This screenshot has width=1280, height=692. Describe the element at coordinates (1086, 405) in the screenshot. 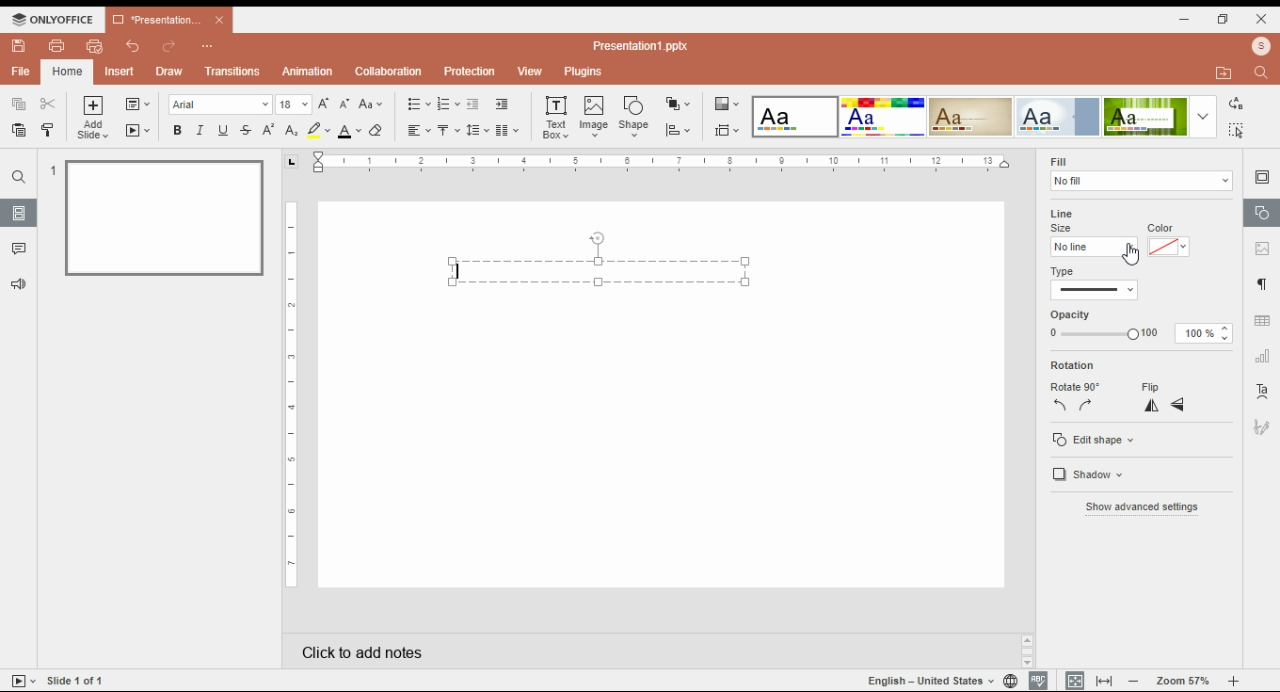

I see `rotate 90 clockwise` at that location.